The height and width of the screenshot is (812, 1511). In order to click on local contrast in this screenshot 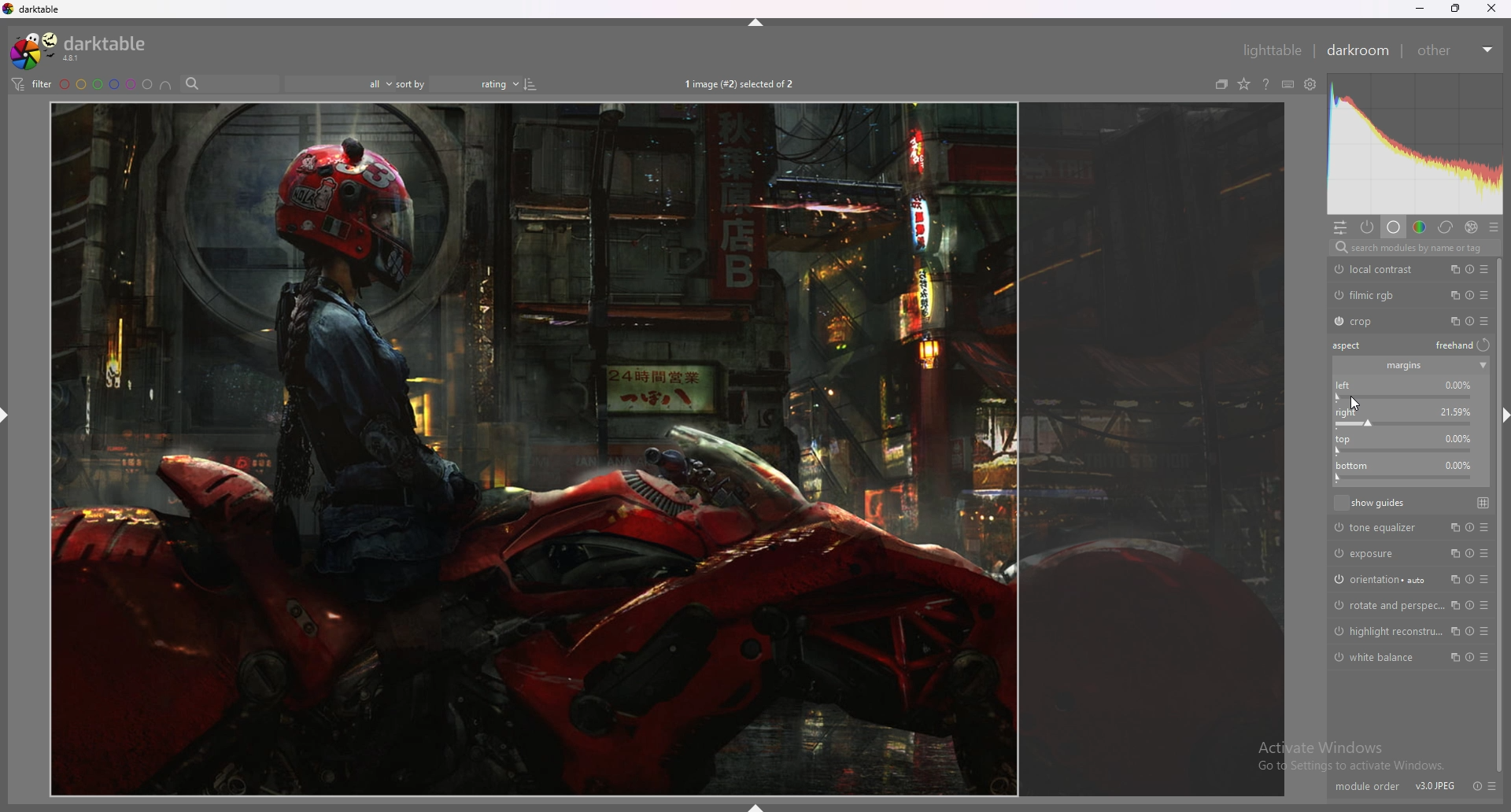, I will do `click(1379, 269)`.